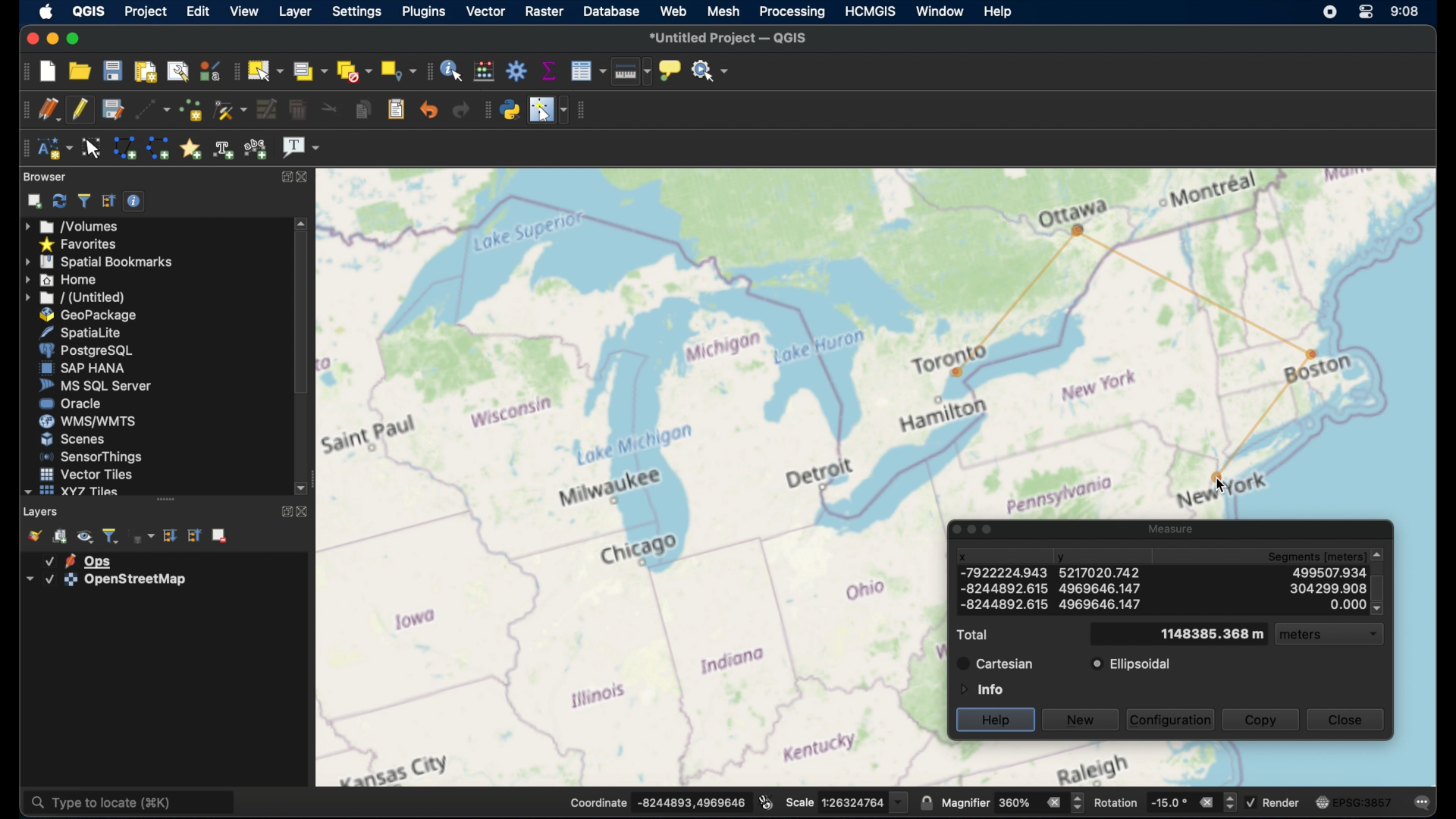 The image size is (1456, 819). I want to click on new print layout, so click(145, 69).